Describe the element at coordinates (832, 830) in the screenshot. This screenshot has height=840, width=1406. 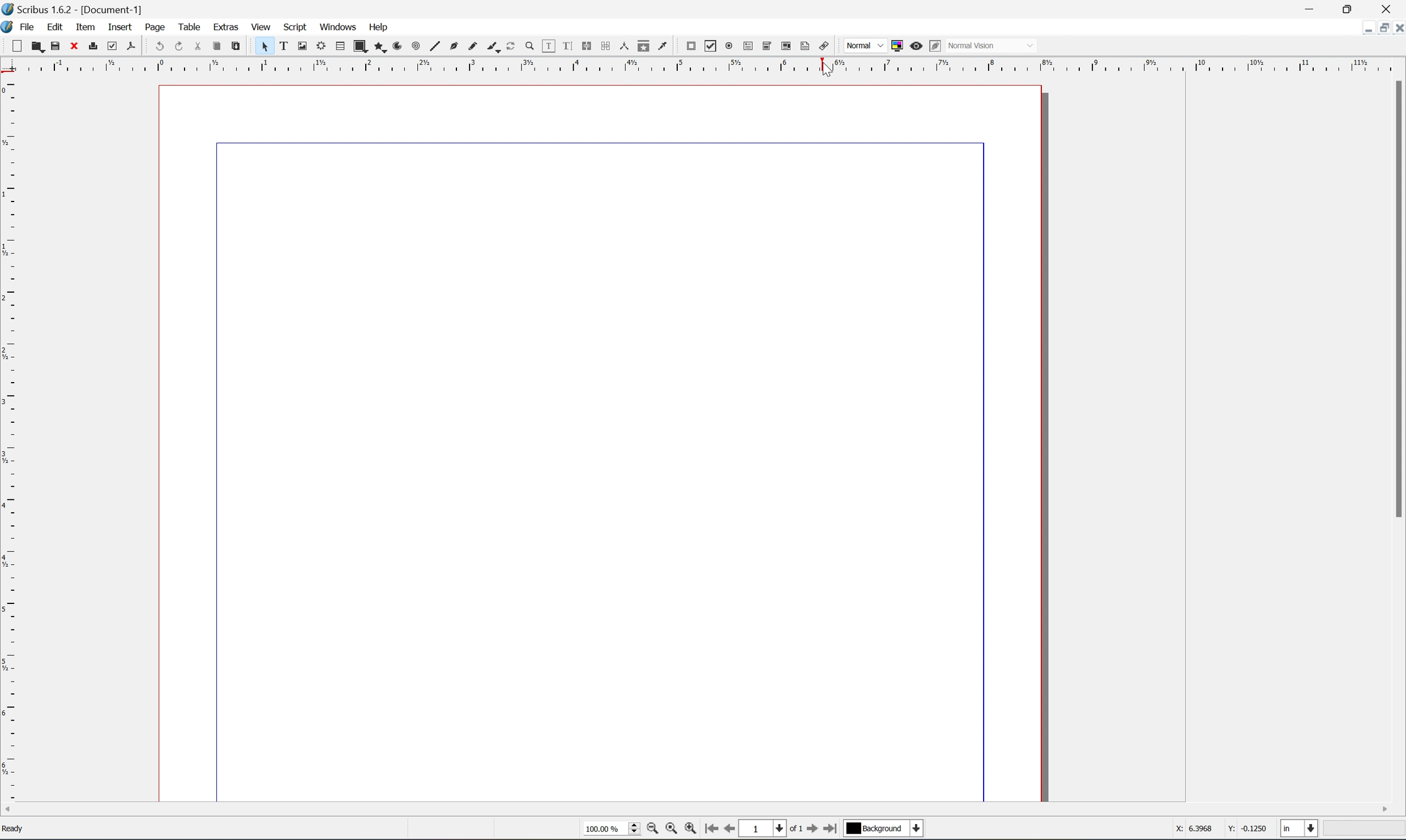
I see `go to last page` at that location.